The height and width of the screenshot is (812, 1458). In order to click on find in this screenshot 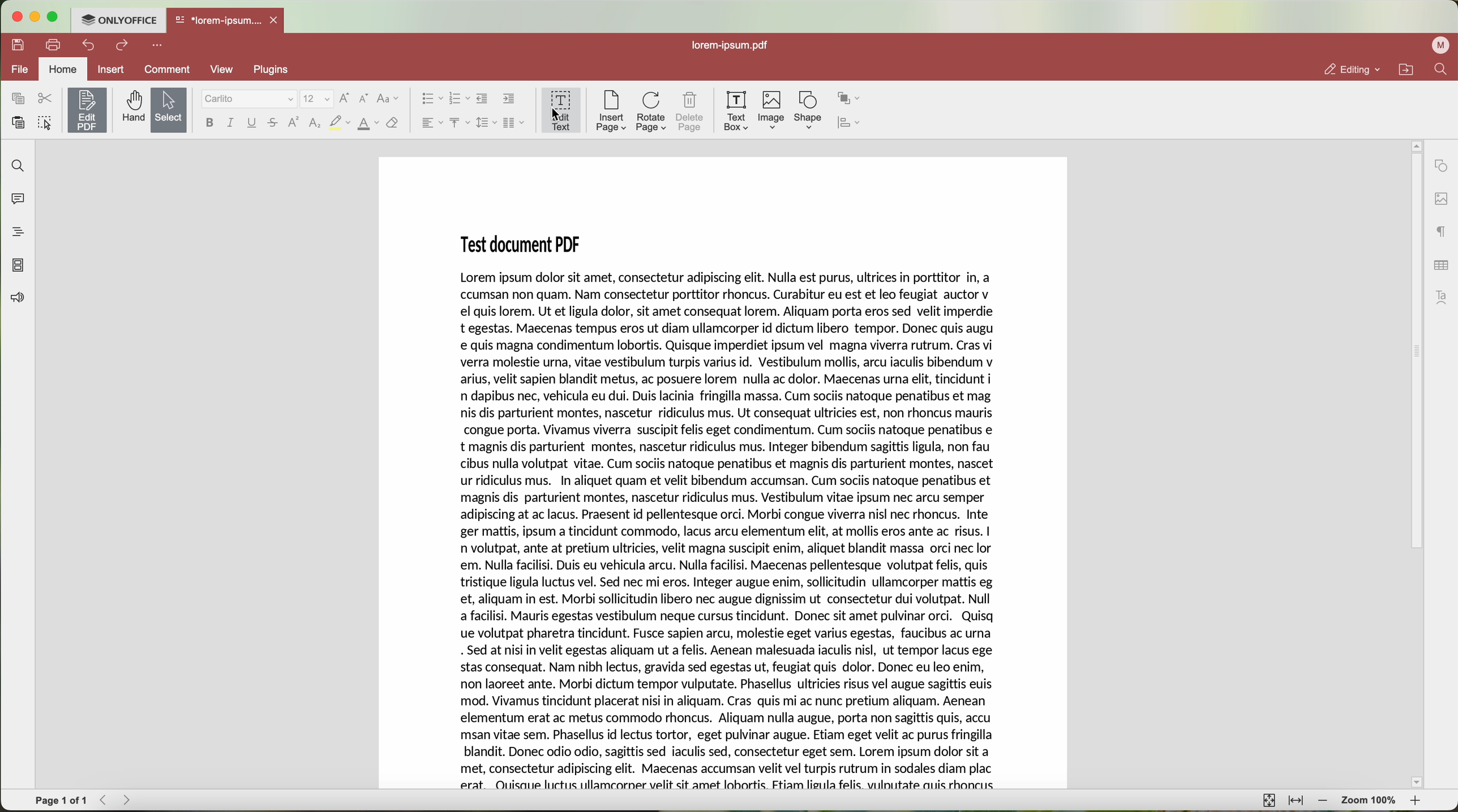, I will do `click(18, 166)`.